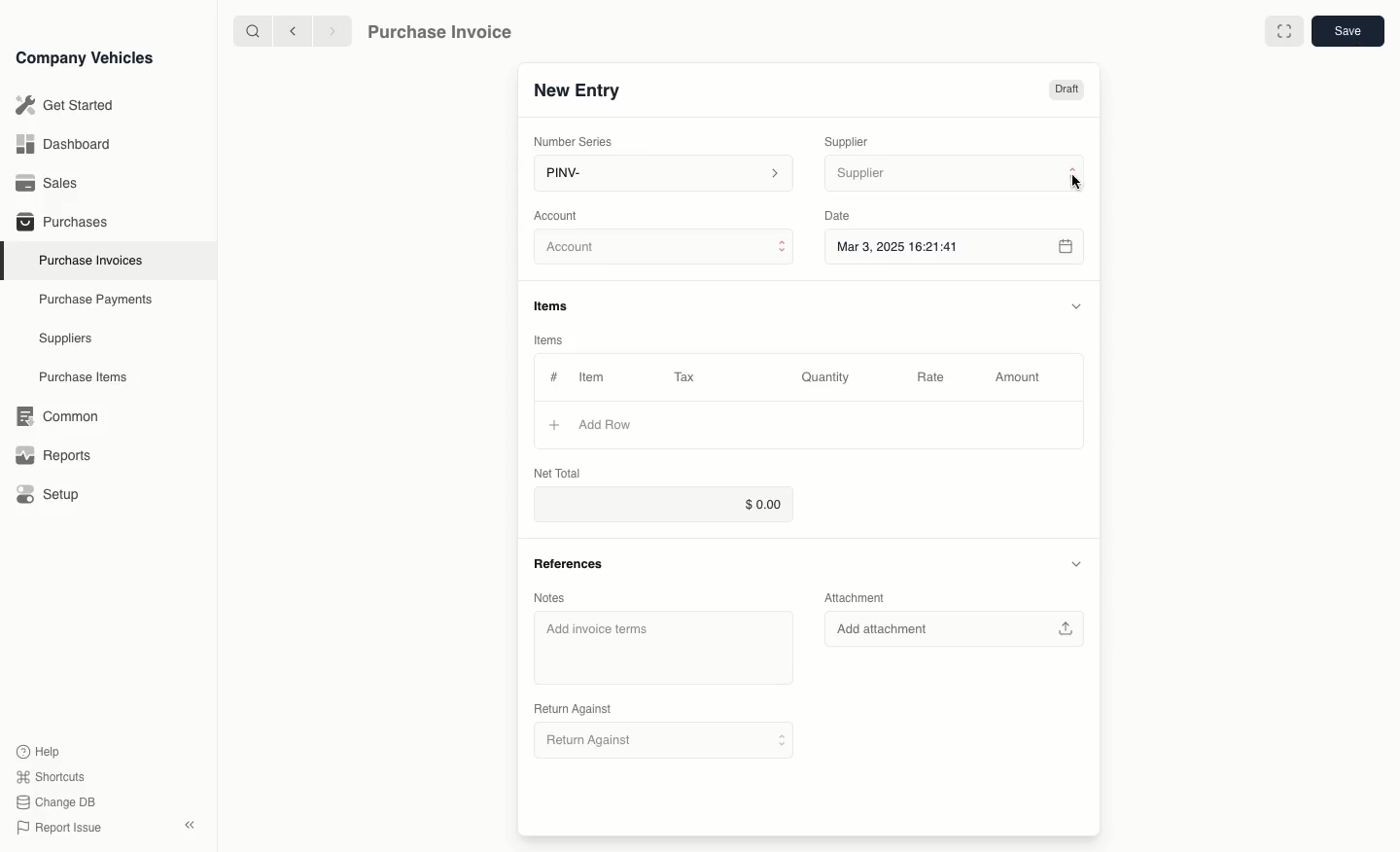 The width and height of the screenshot is (1400, 852). Describe the element at coordinates (553, 307) in the screenshot. I see `items` at that location.